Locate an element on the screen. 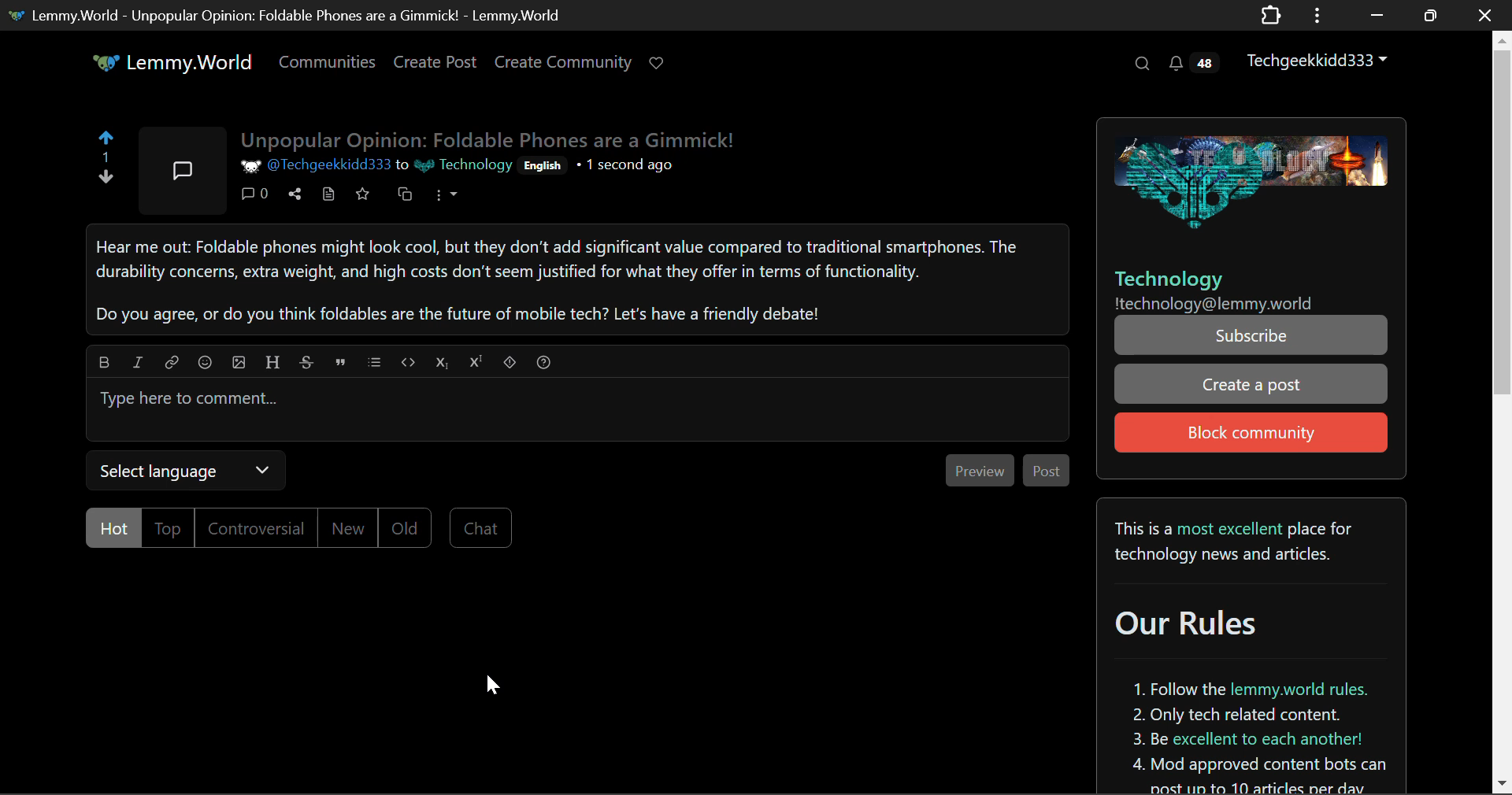  Cross-post is located at coordinates (406, 198).